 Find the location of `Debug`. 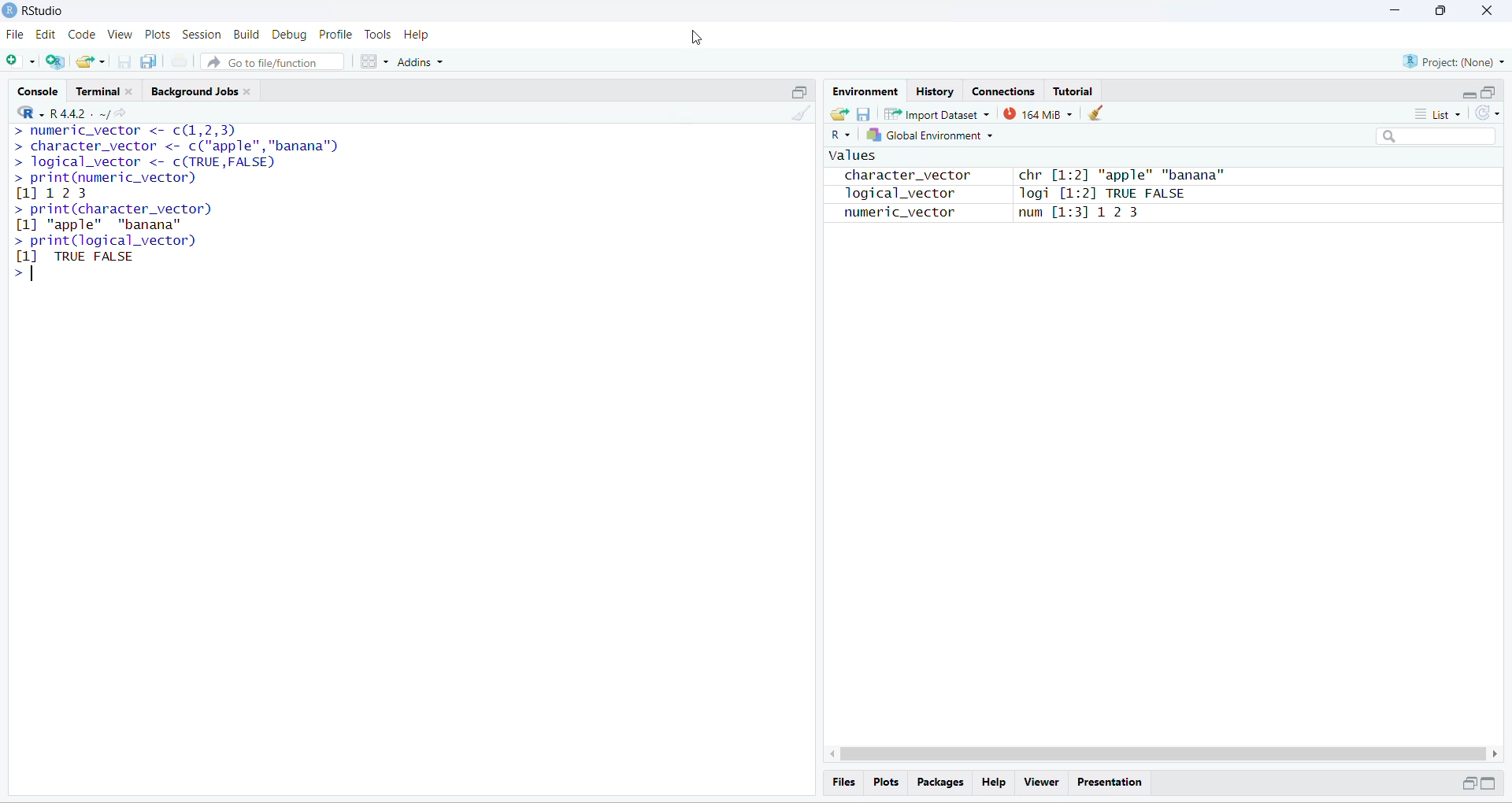

Debug is located at coordinates (290, 35).